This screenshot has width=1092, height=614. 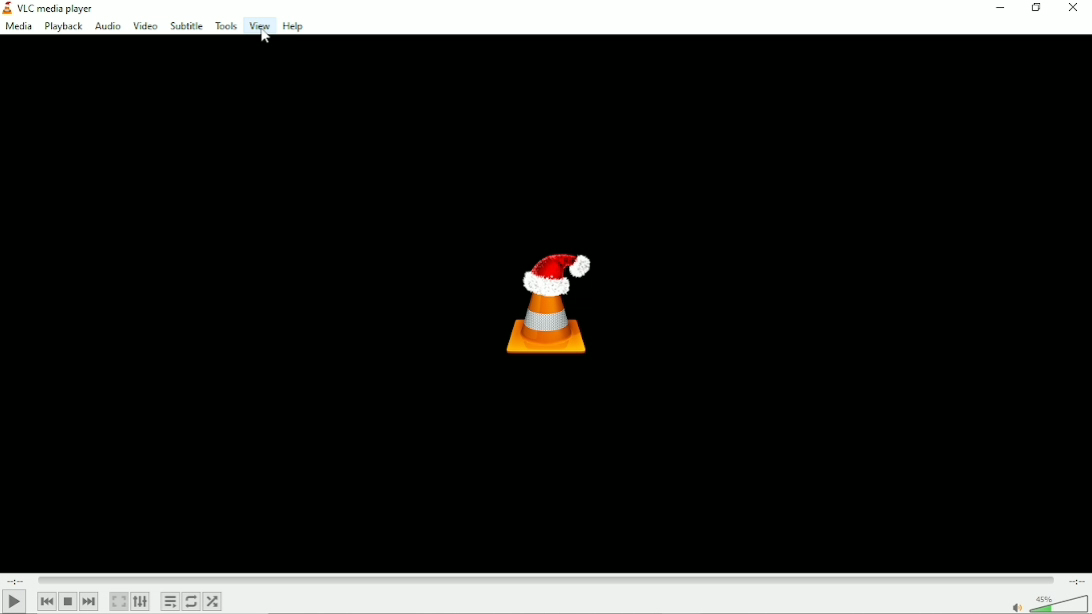 What do you see at coordinates (88, 602) in the screenshot?
I see `Next` at bounding box center [88, 602].